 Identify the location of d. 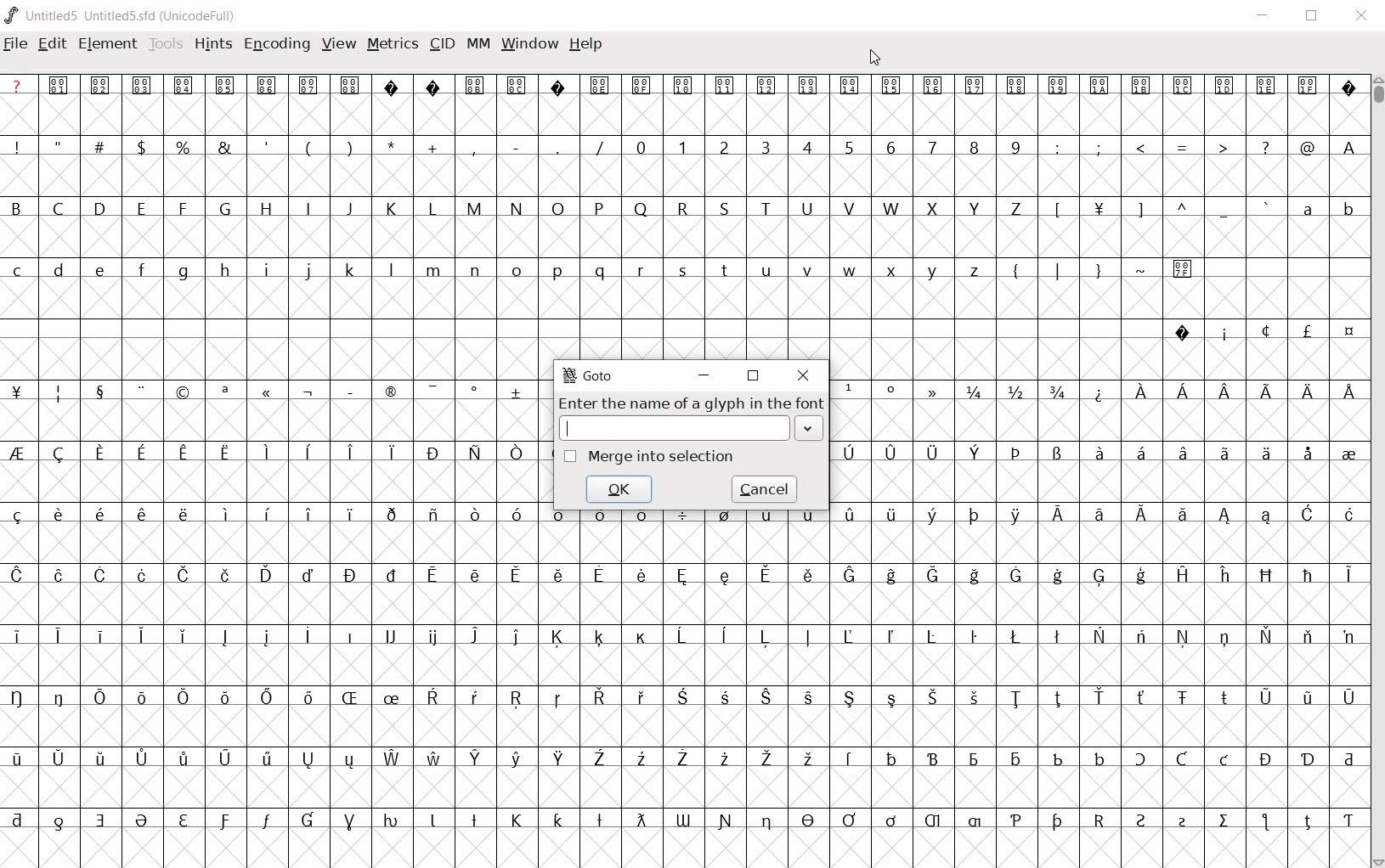
(59, 272).